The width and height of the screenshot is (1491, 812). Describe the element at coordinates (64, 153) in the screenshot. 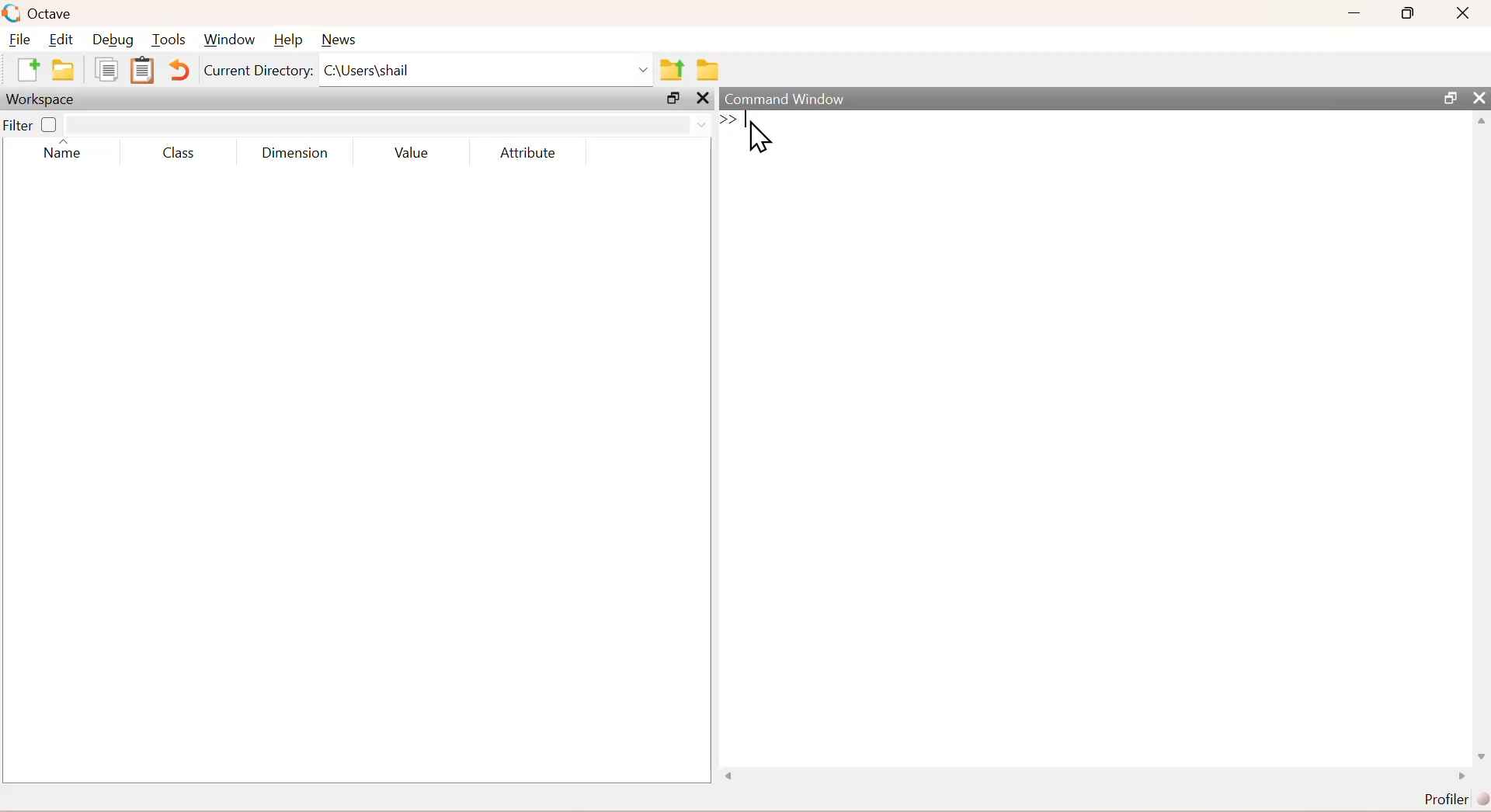

I see `Name` at that location.